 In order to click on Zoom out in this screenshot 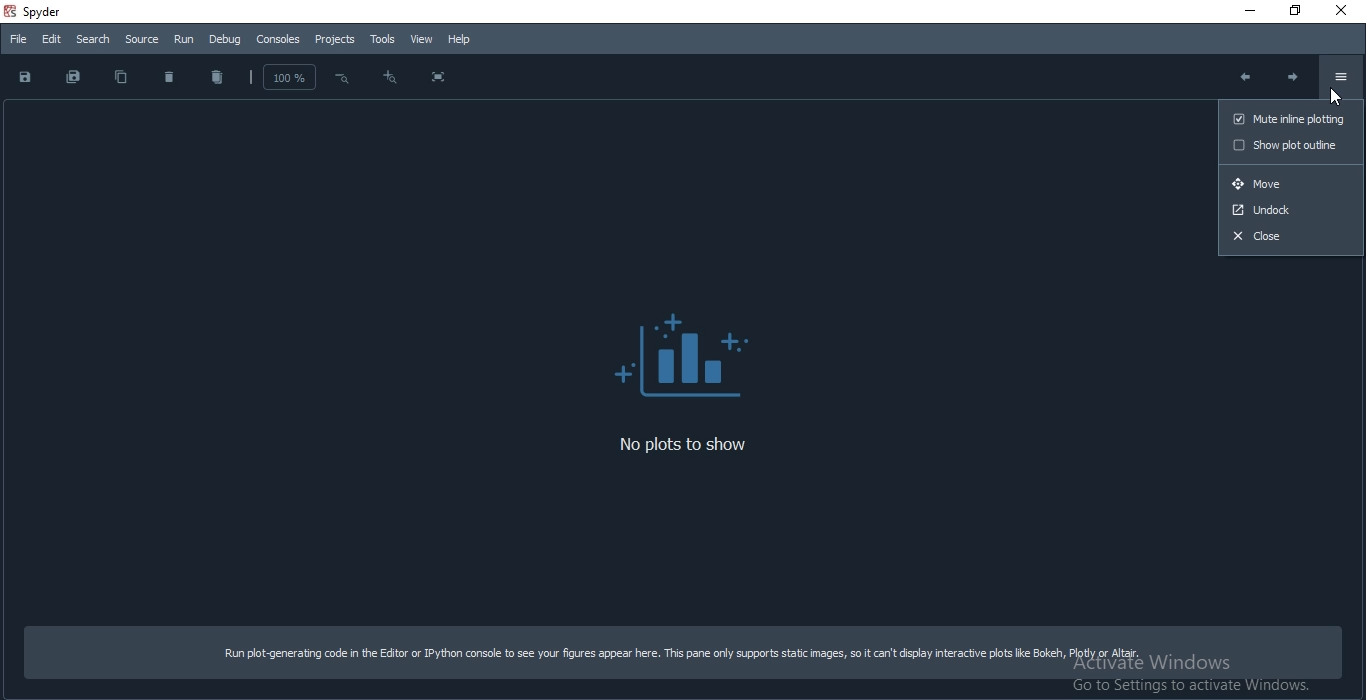, I will do `click(389, 80)`.